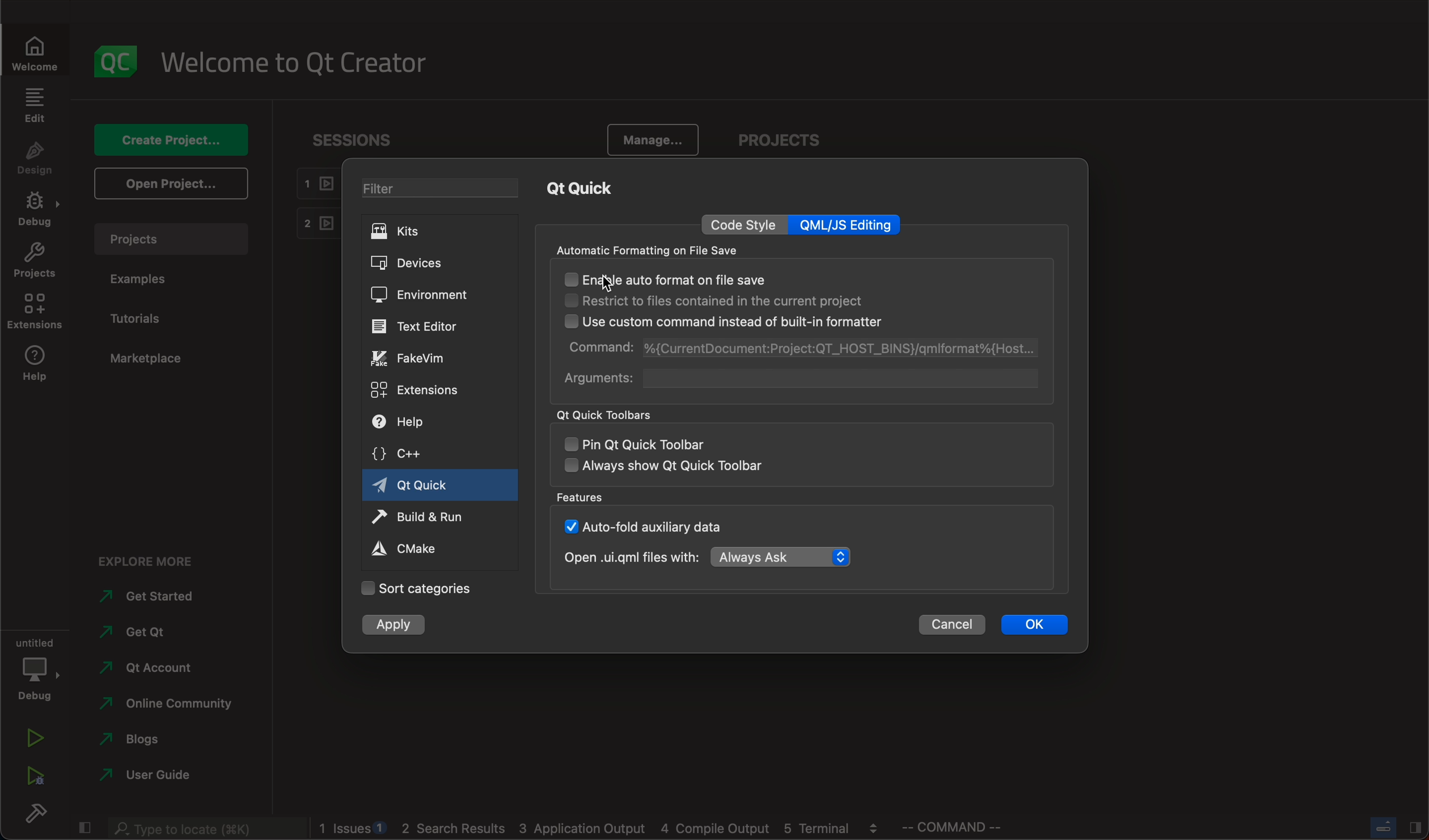  I want to click on c++, so click(410, 454).